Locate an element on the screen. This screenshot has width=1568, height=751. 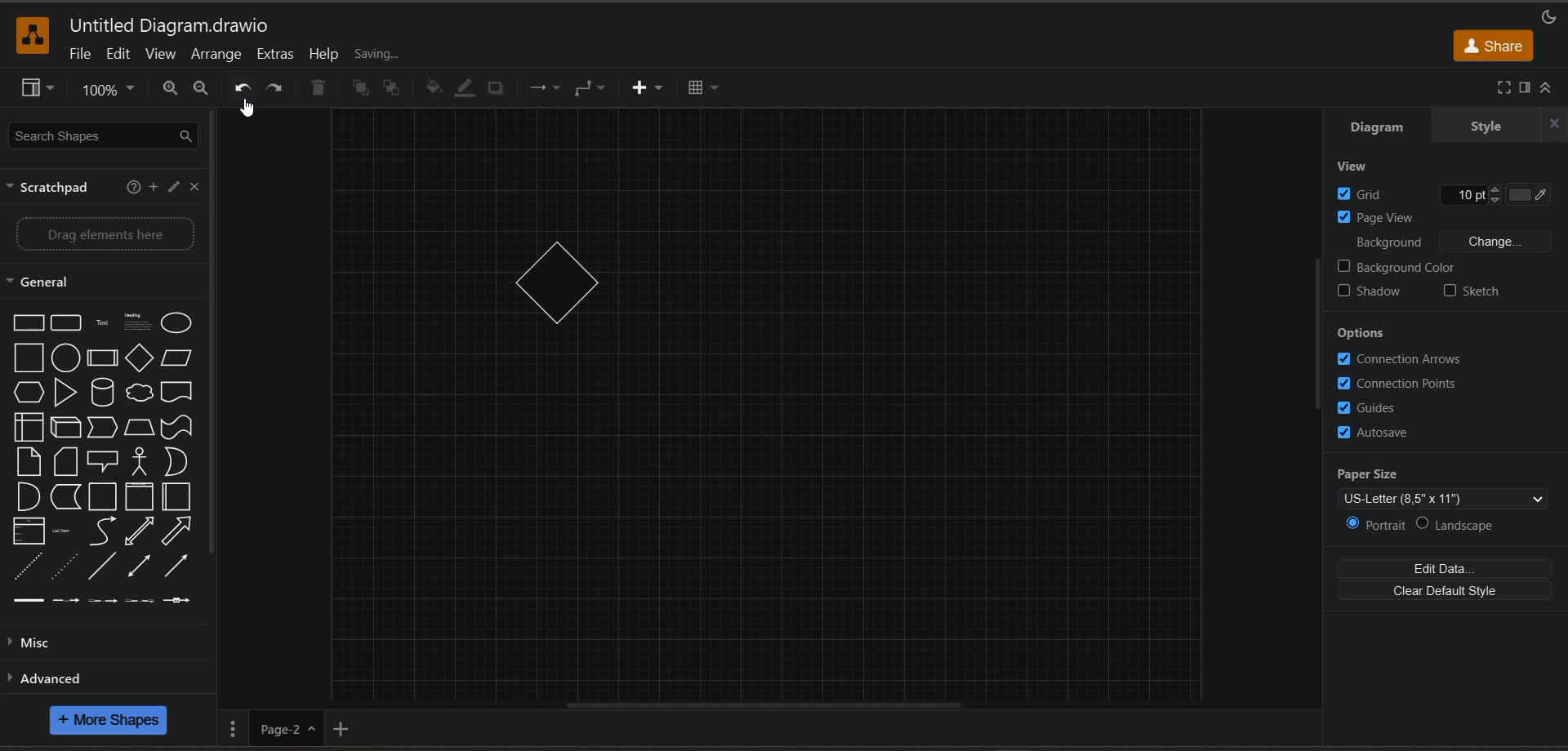
to front is located at coordinates (356, 87).